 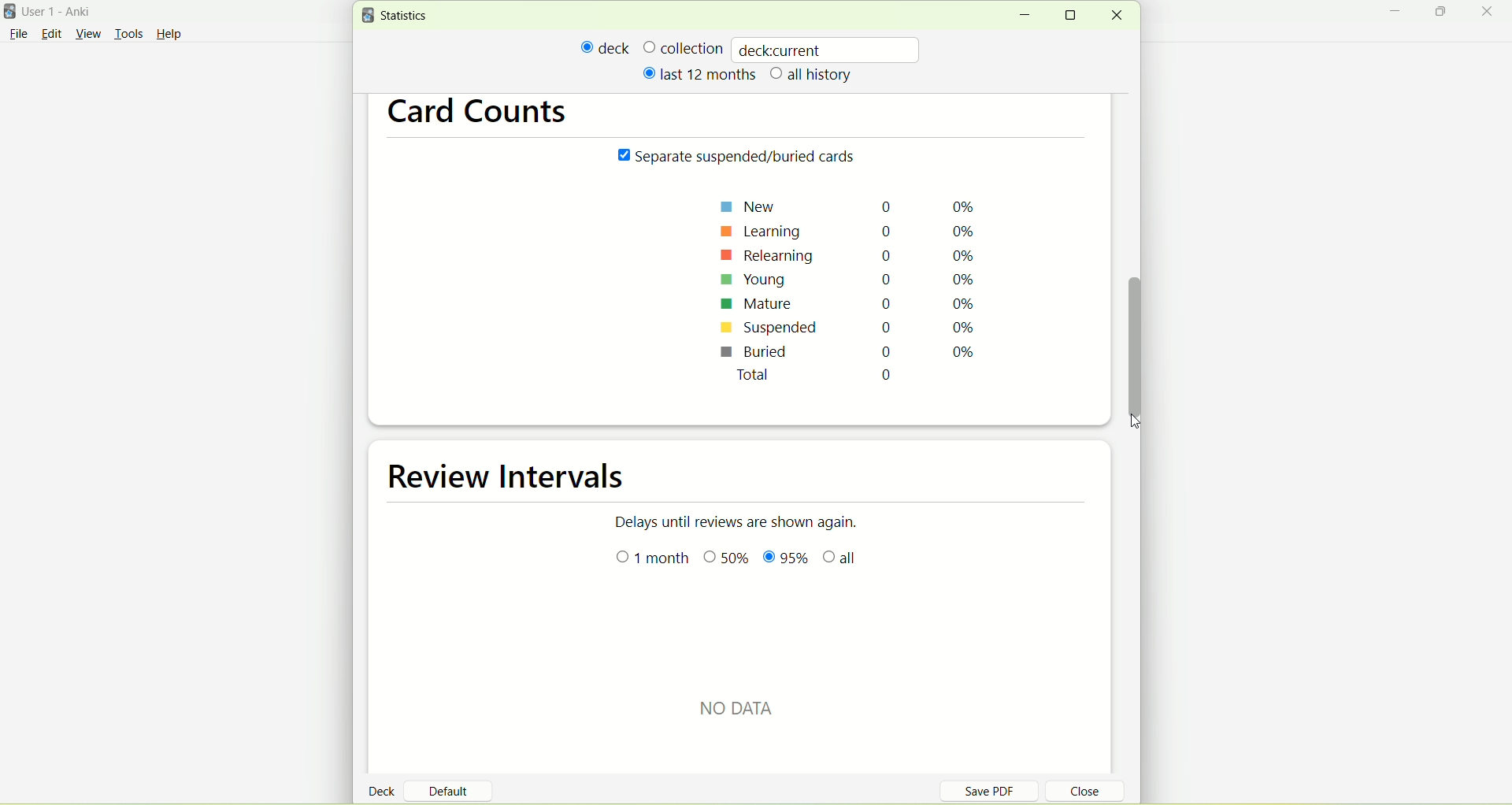 I want to click on 0%, so click(x=728, y=559).